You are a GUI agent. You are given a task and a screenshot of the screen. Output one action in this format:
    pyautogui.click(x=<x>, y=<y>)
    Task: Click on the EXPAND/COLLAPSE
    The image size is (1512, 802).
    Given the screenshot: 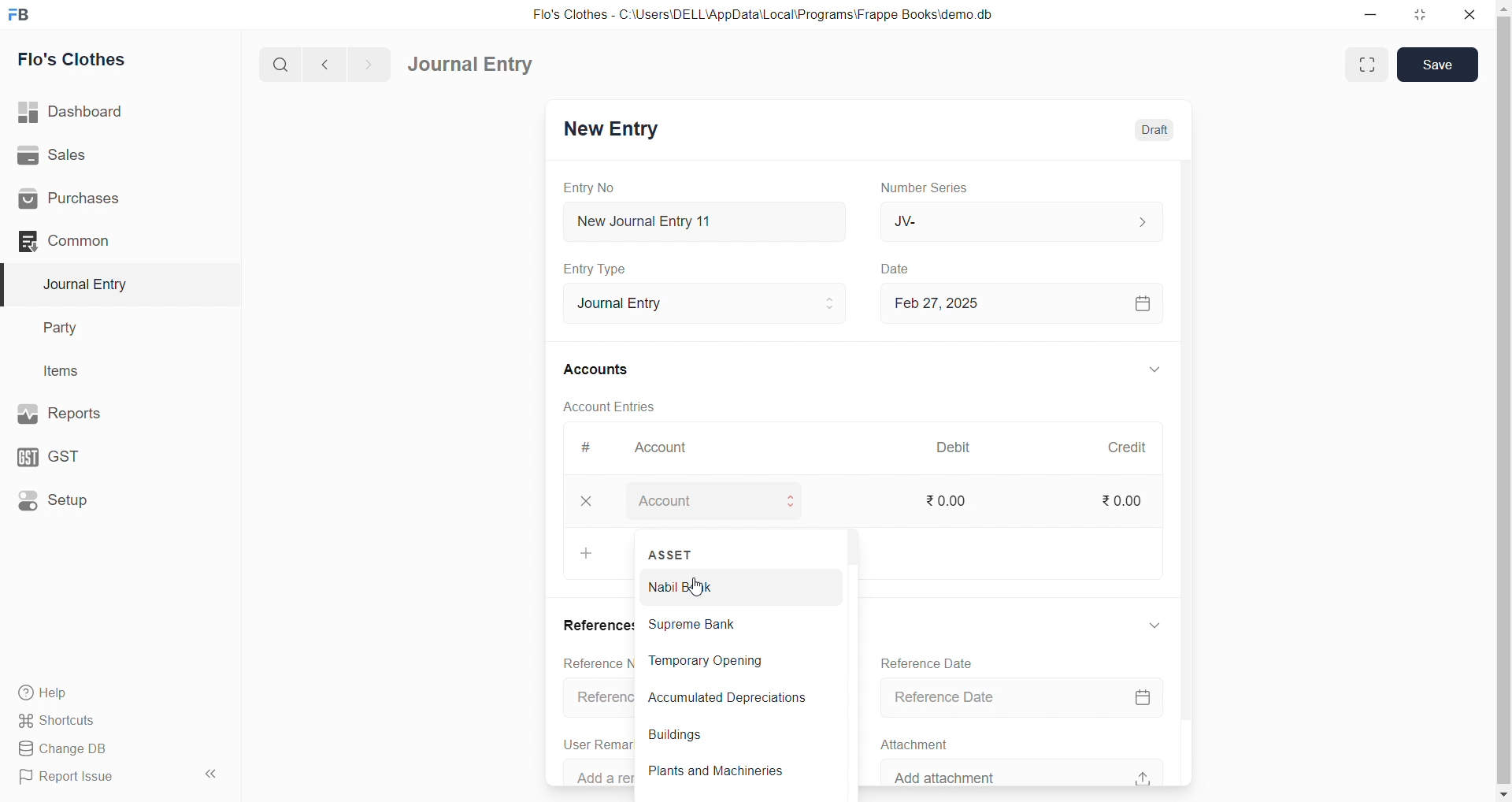 What is the action you would take?
    pyautogui.click(x=1163, y=629)
    